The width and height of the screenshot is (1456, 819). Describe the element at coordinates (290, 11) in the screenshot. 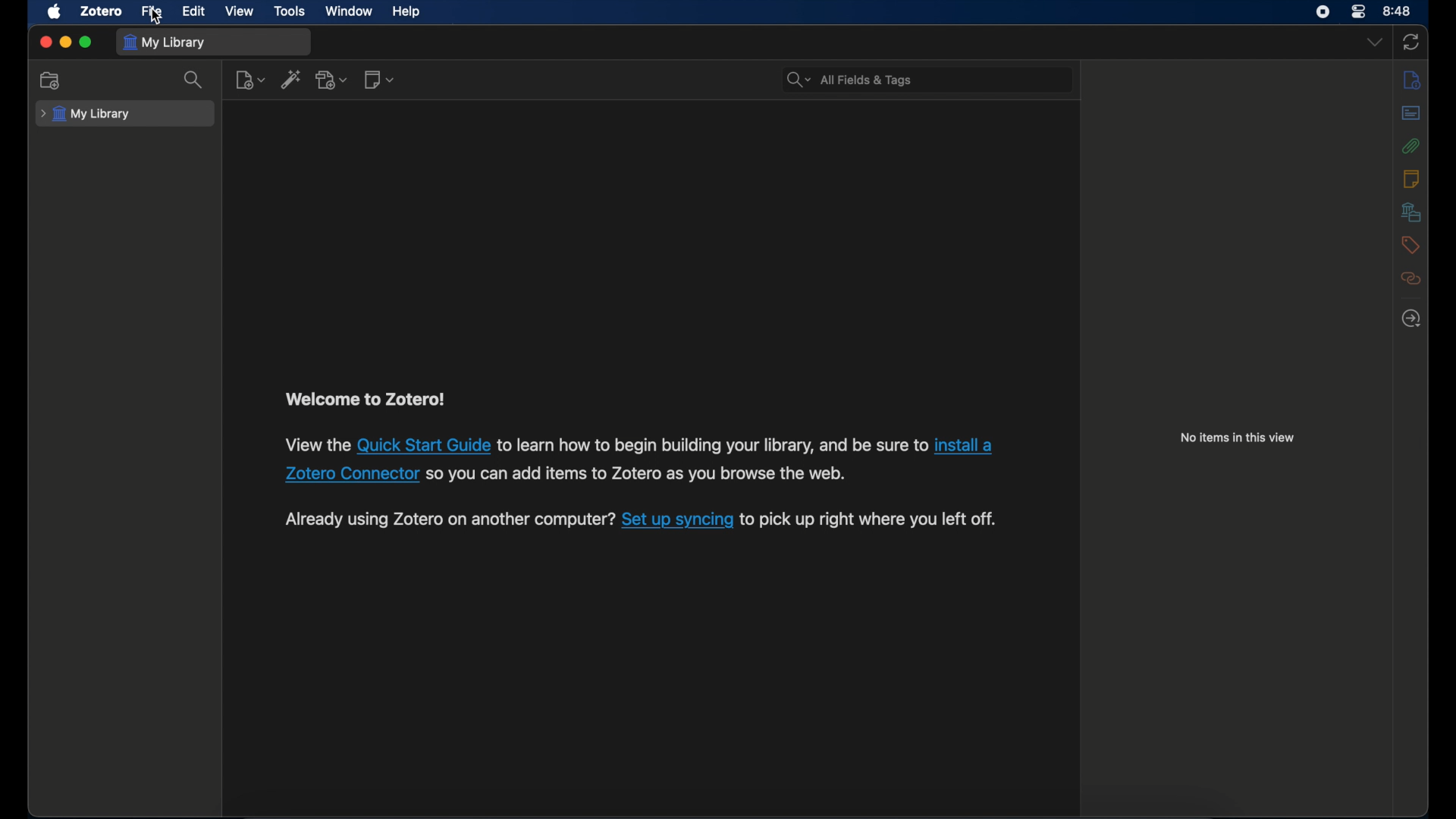

I see `tools` at that location.